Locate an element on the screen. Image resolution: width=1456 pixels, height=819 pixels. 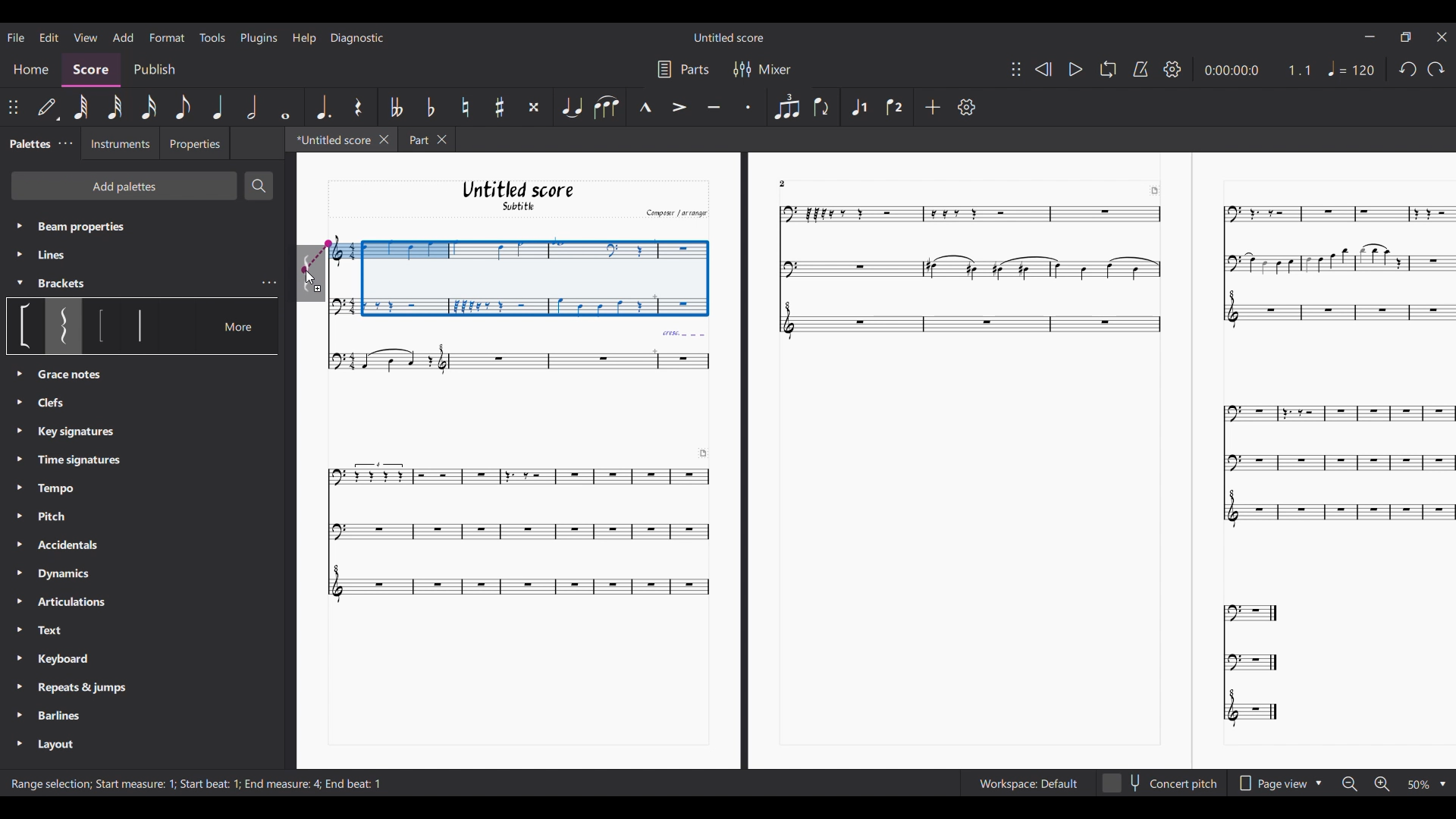
Tools is located at coordinates (212, 37).